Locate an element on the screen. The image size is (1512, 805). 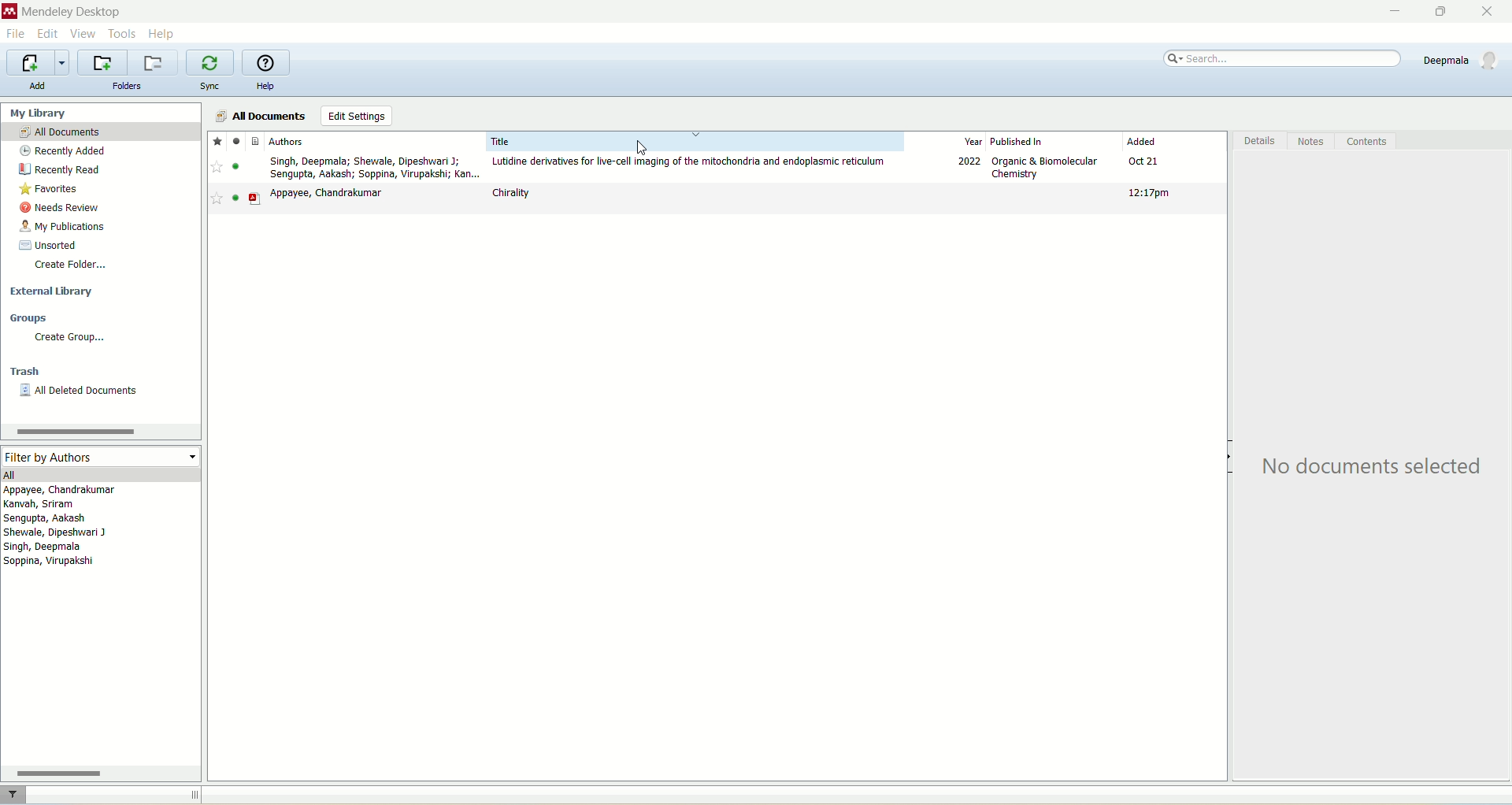
read/unread is located at coordinates (240, 140).